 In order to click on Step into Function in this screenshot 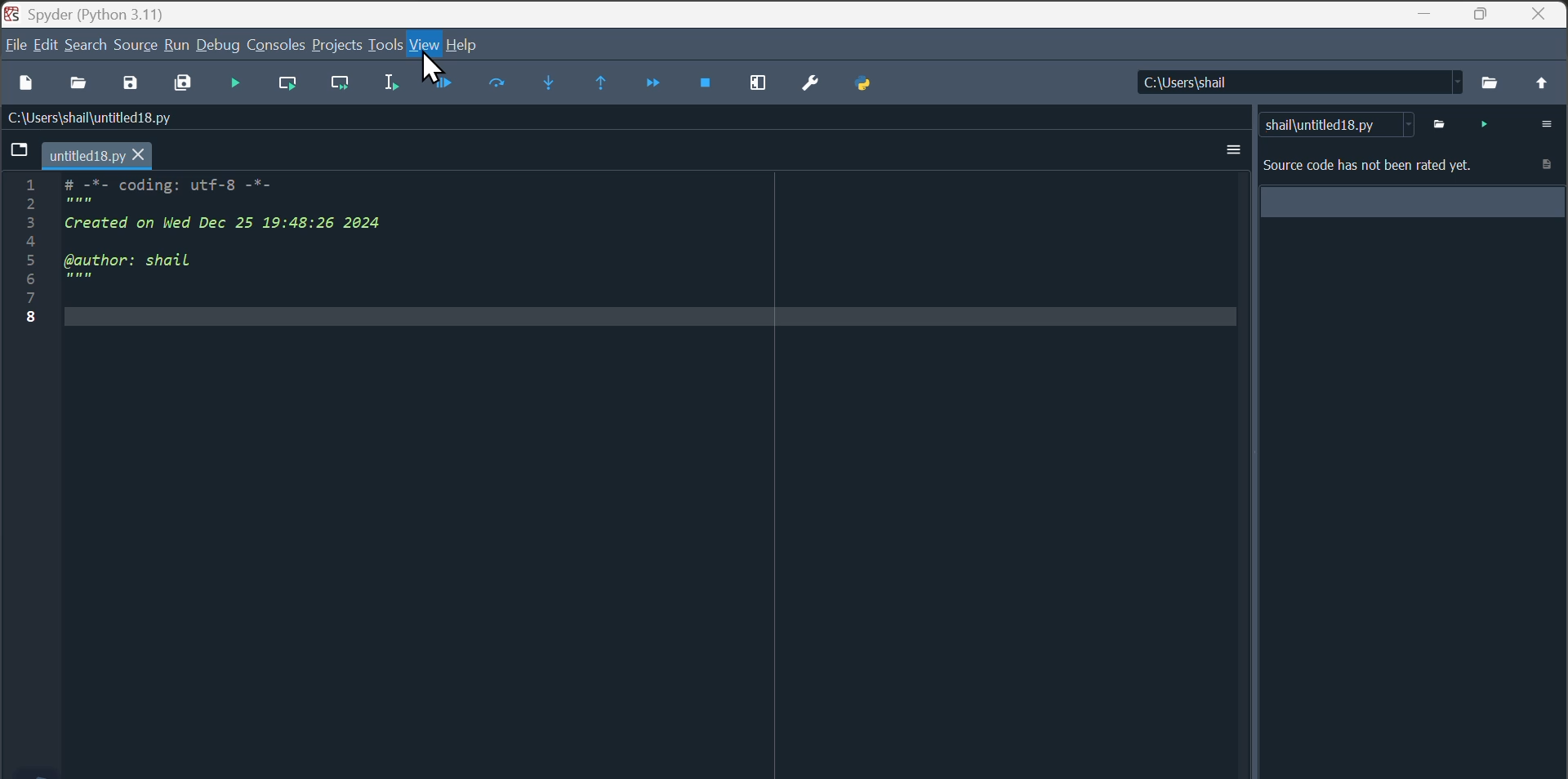, I will do `click(552, 87)`.